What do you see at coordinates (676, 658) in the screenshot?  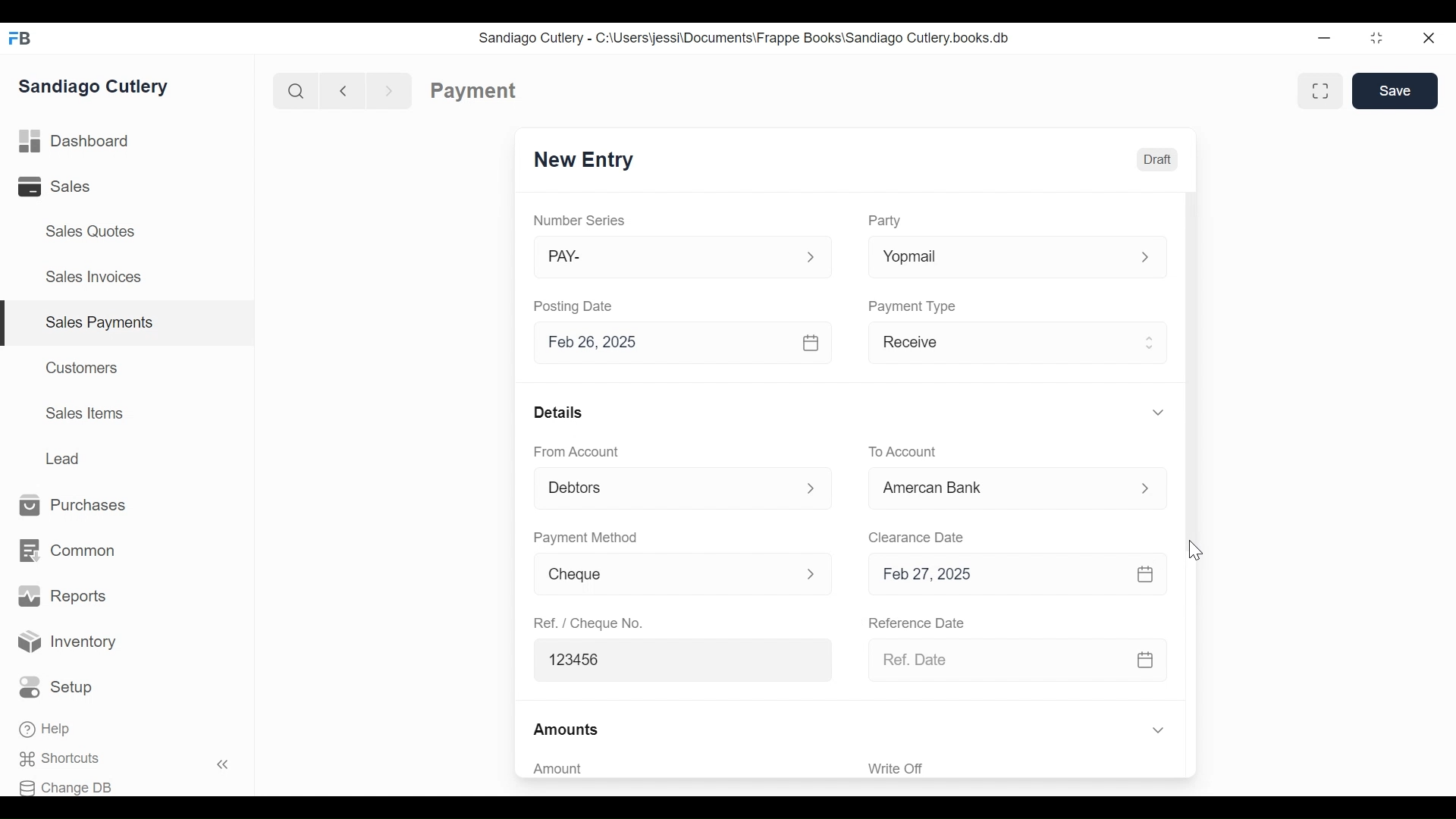 I see `123456` at bounding box center [676, 658].